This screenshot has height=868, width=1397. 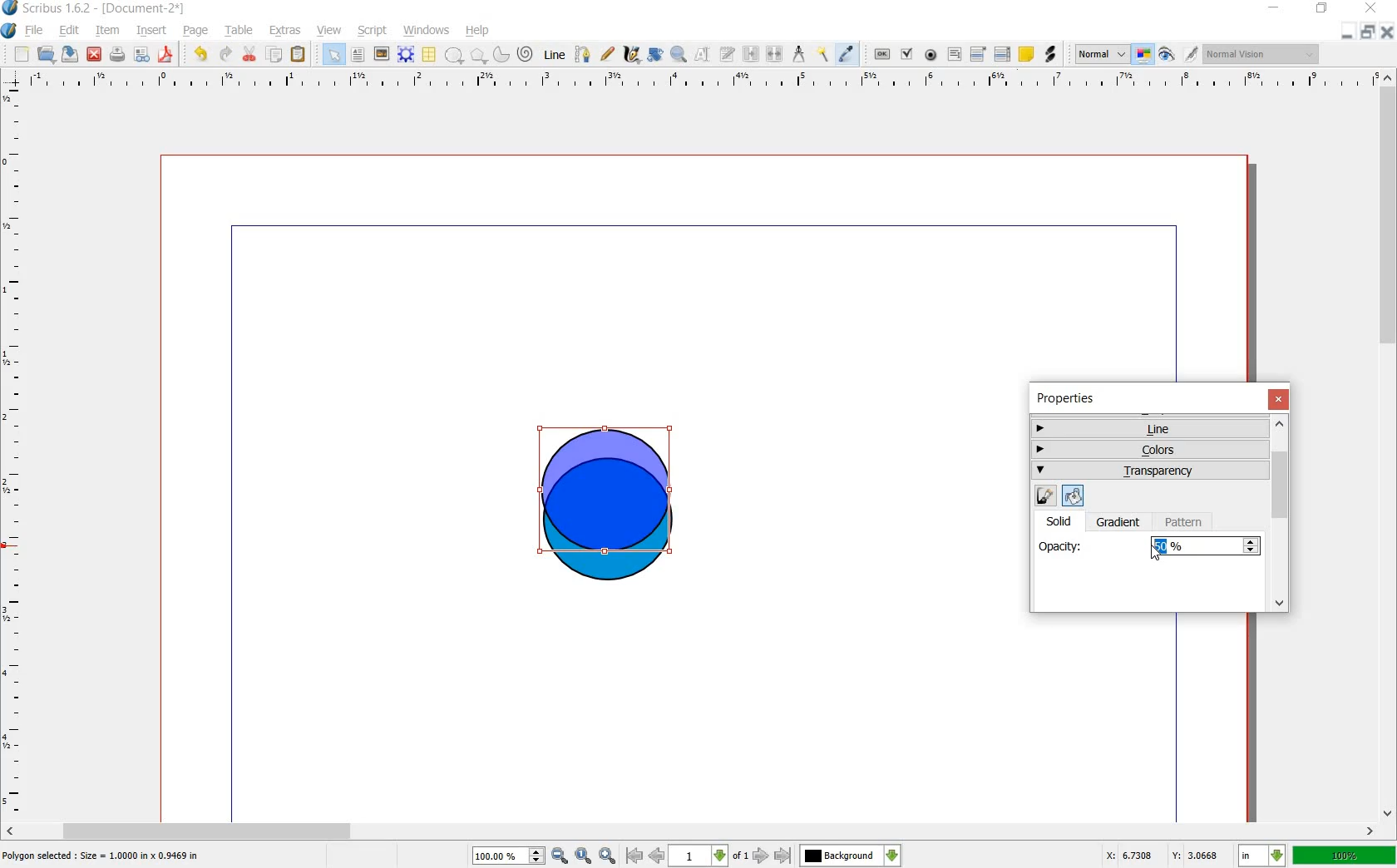 What do you see at coordinates (373, 31) in the screenshot?
I see `script` at bounding box center [373, 31].